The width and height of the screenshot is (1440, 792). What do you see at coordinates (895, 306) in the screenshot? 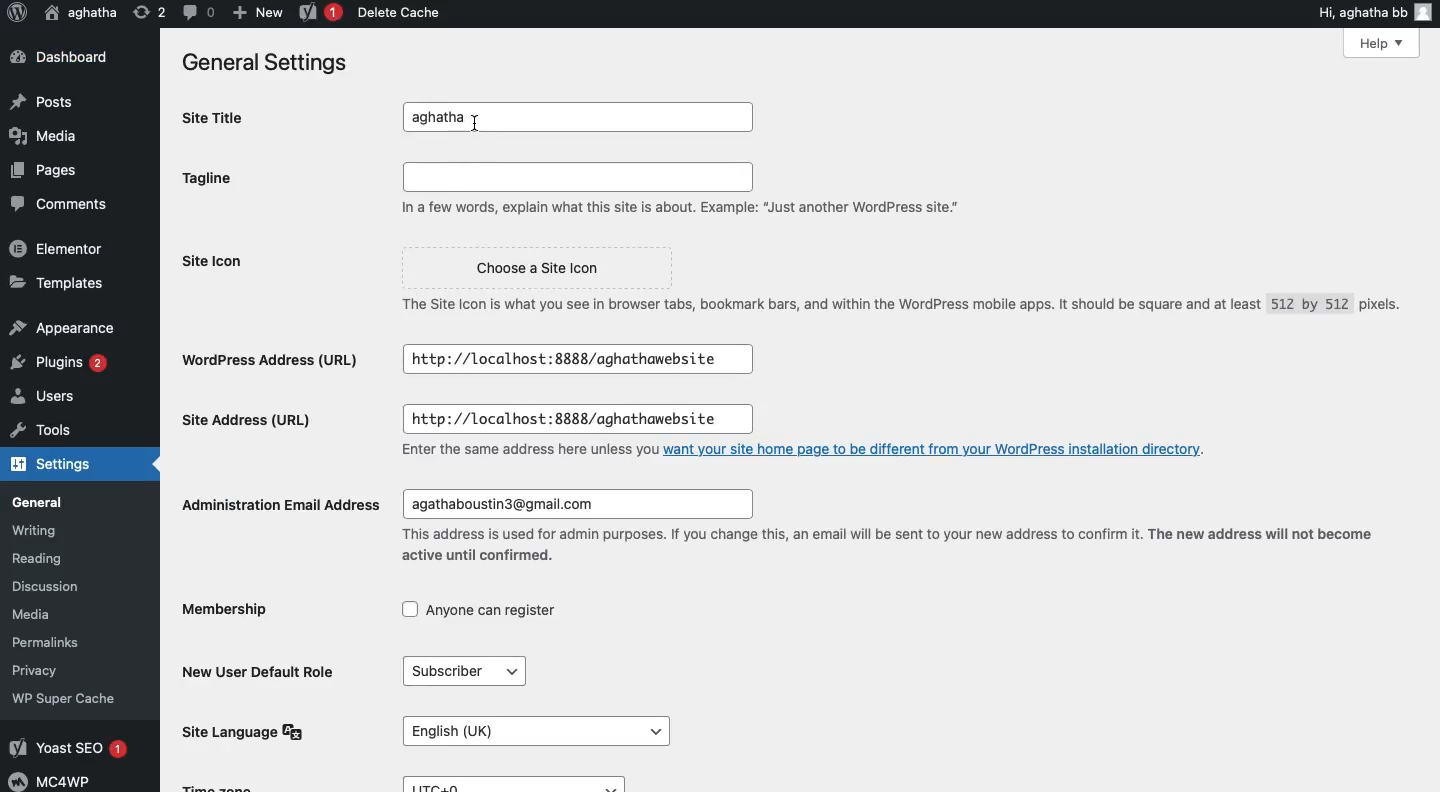
I see `The Site Icon is what you see in browser tabs, bookmark bars, and within the WordPress mobile apps. It should be square and at least 512 by 512 pixels.` at bounding box center [895, 306].